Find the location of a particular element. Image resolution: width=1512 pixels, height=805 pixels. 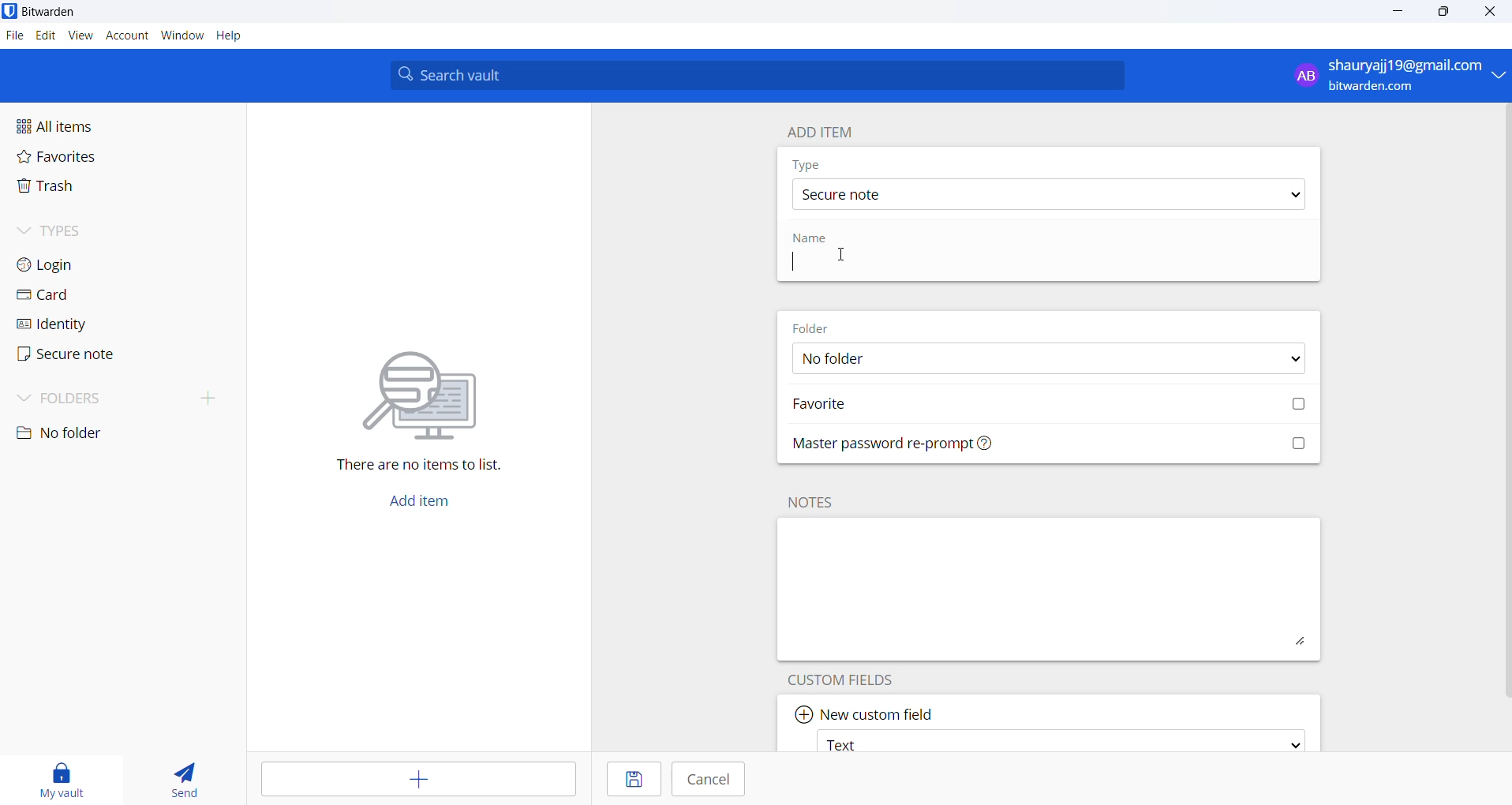

add item is located at coordinates (819, 131).